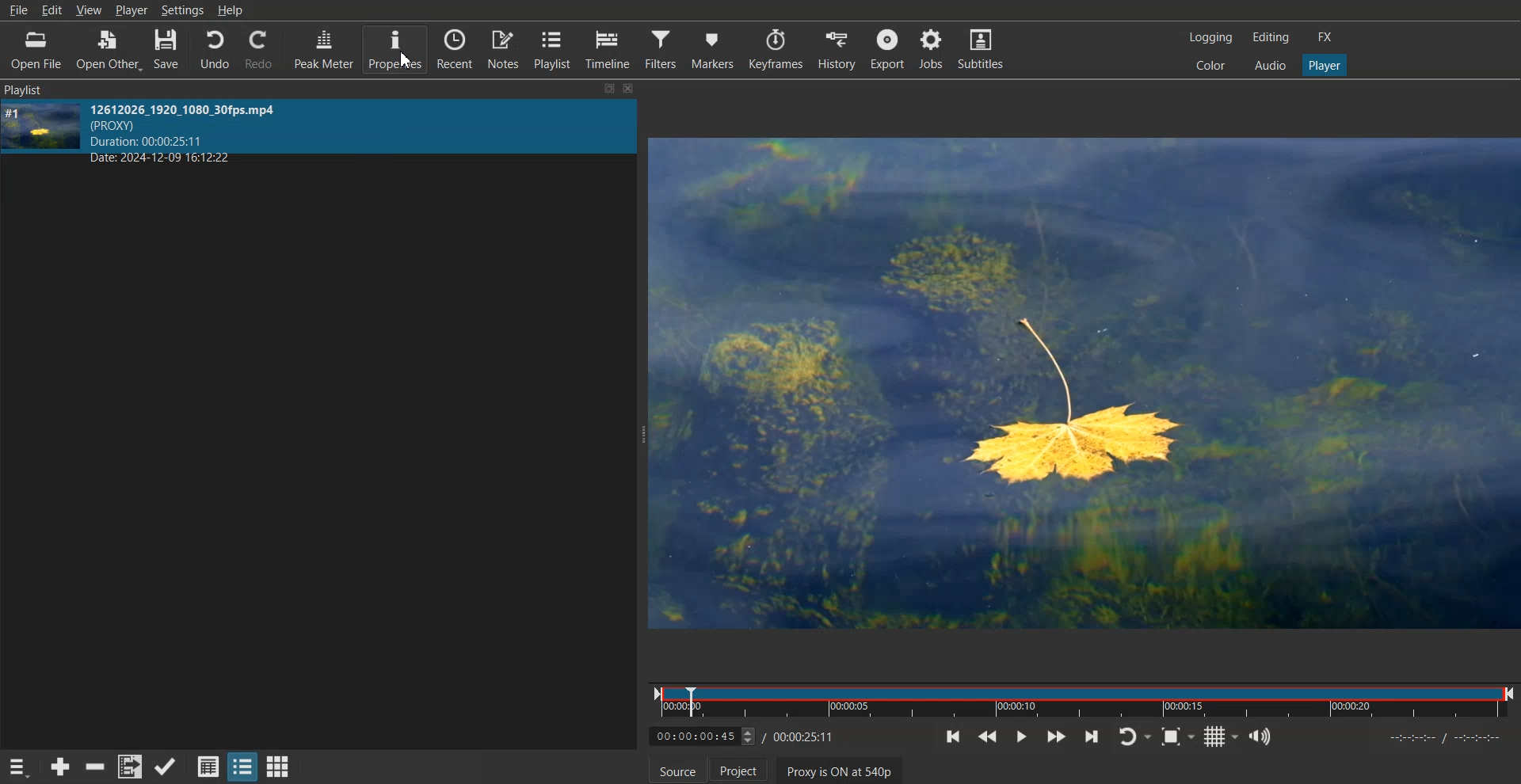 The height and width of the screenshot is (784, 1521). I want to click on View as detail, so click(208, 766).